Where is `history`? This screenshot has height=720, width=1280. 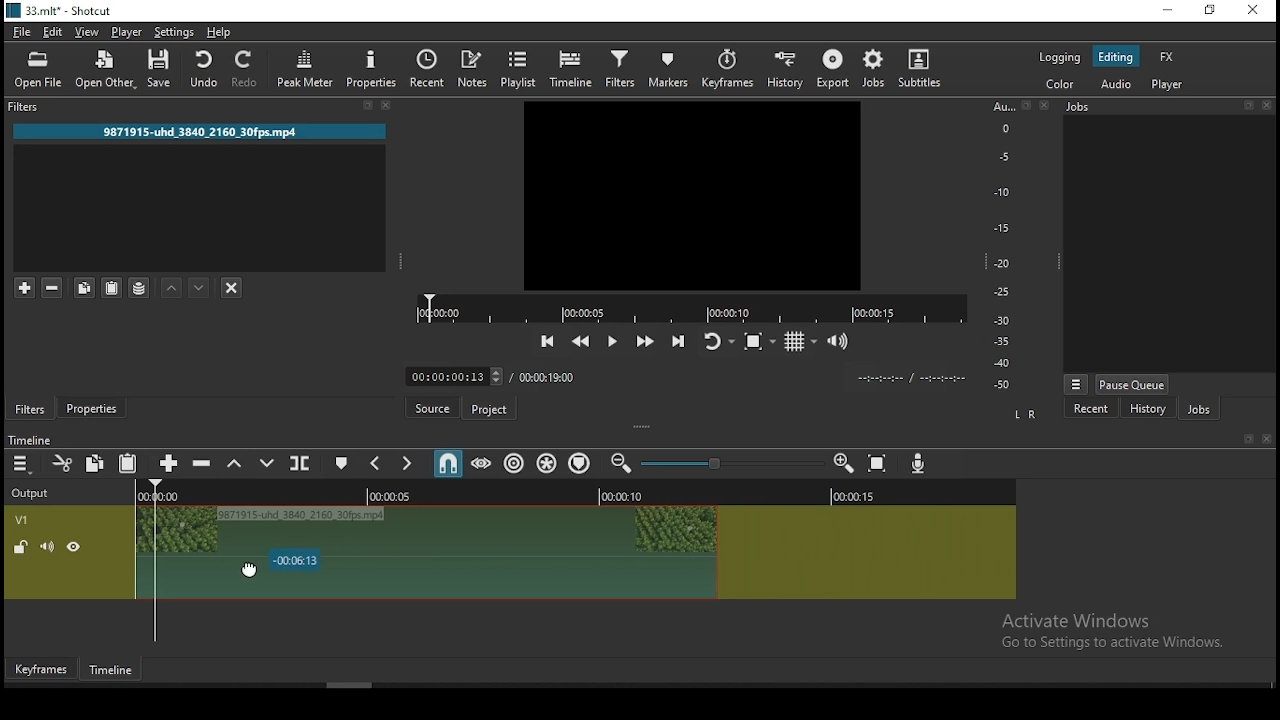
history is located at coordinates (784, 69).